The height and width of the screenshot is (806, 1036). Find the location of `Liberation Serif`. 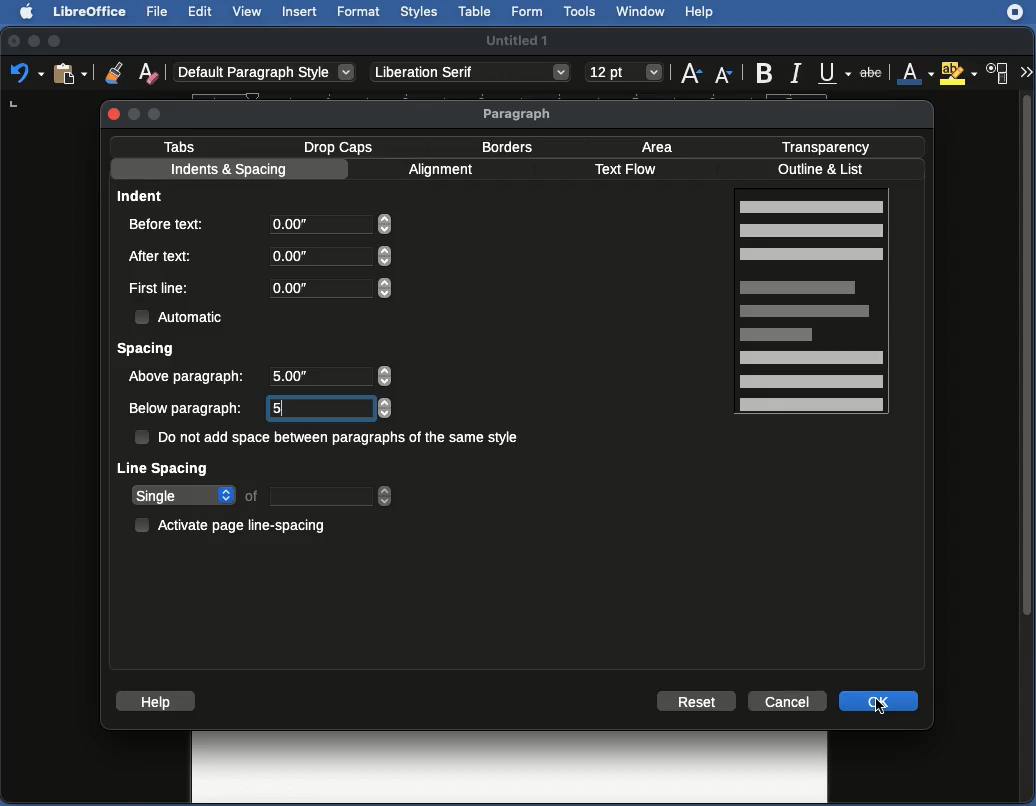

Liberation Serif is located at coordinates (470, 73).